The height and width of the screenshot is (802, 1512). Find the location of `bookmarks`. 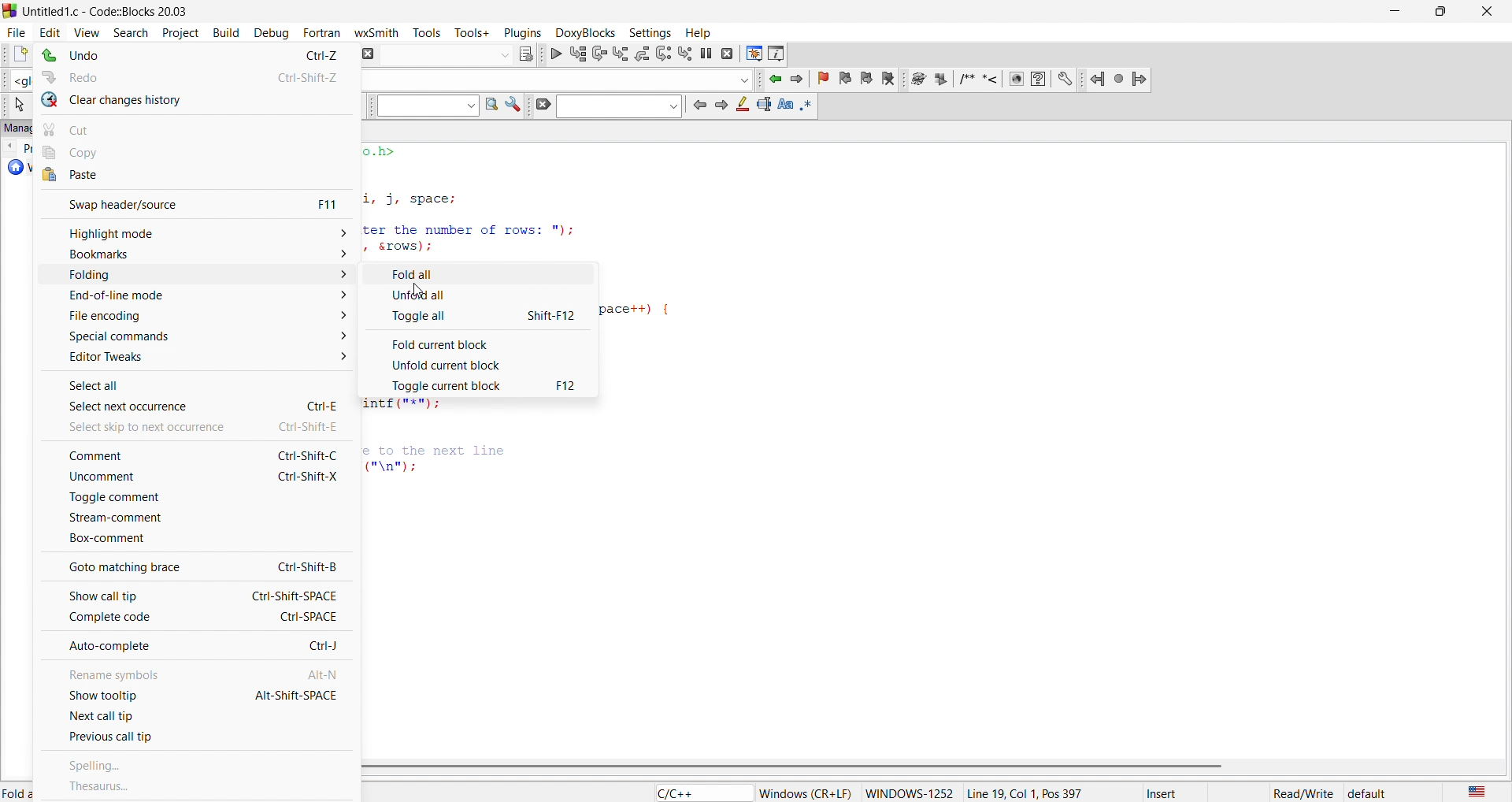

bookmarks is located at coordinates (192, 254).